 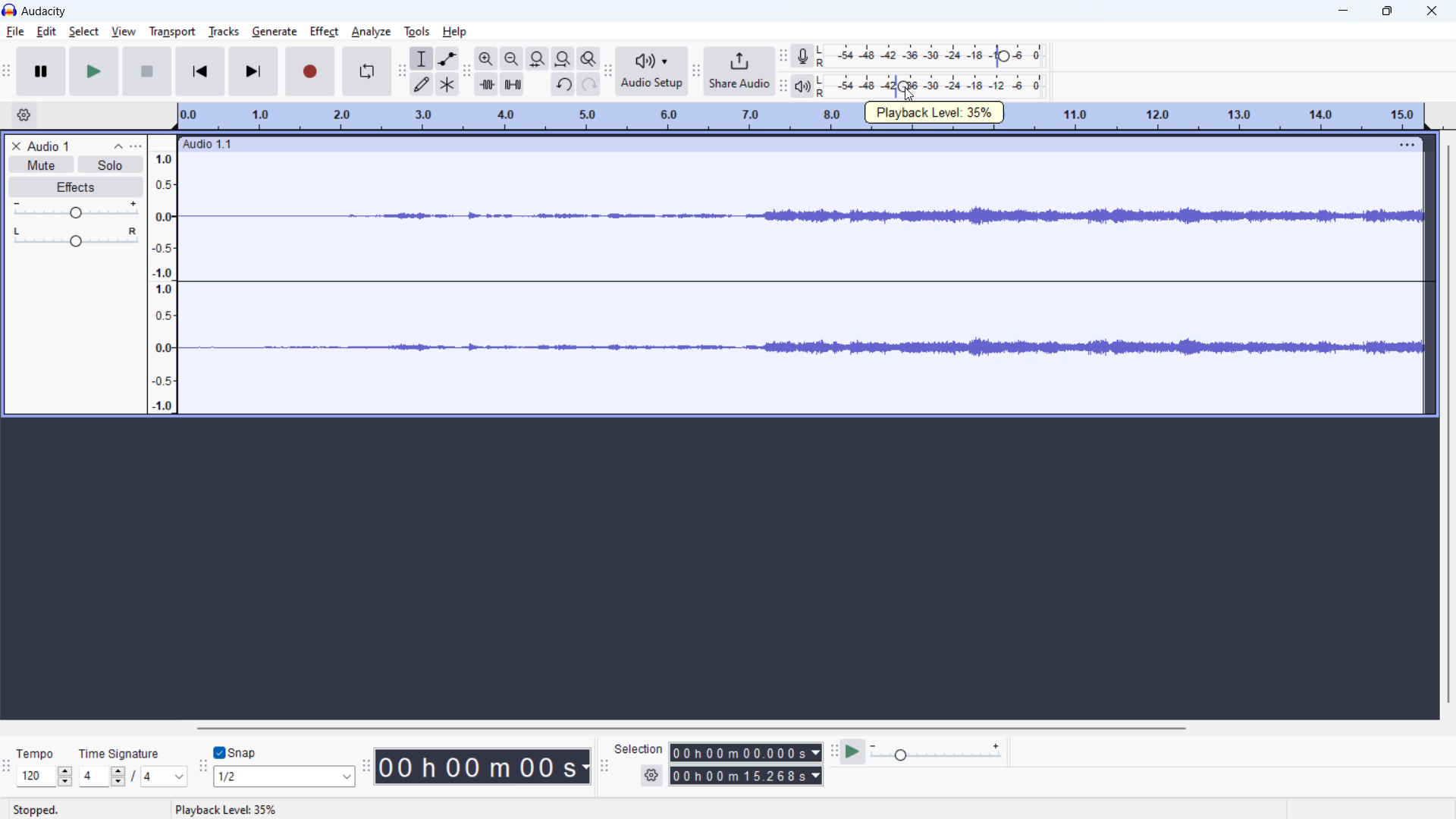 What do you see at coordinates (1447, 421) in the screenshot?
I see `vertical scrollbar` at bounding box center [1447, 421].